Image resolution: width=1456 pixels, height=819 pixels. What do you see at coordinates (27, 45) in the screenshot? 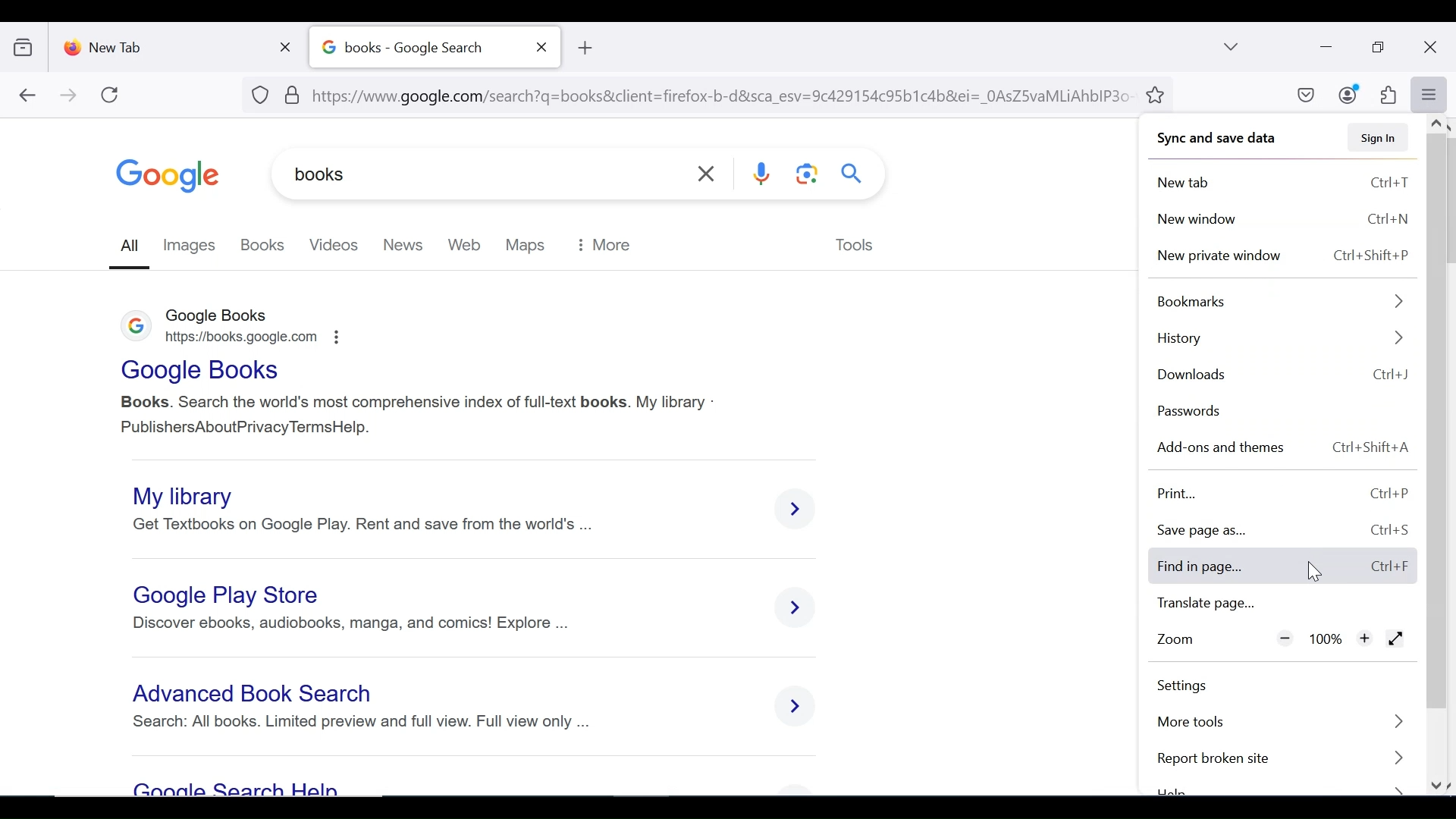
I see `show recent browsing across devices` at bounding box center [27, 45].